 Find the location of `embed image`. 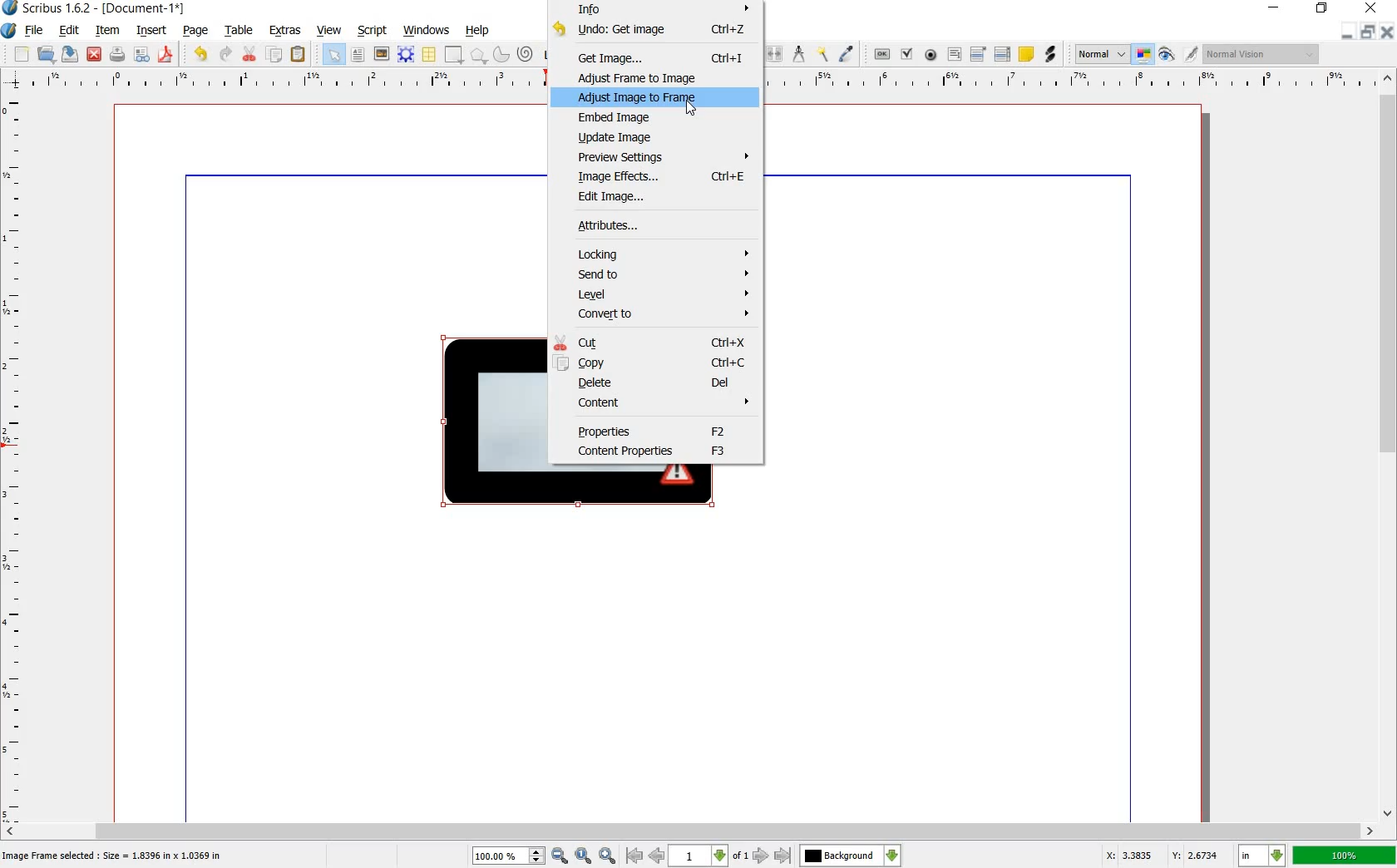

embed image is located at coordinates (622, 117).